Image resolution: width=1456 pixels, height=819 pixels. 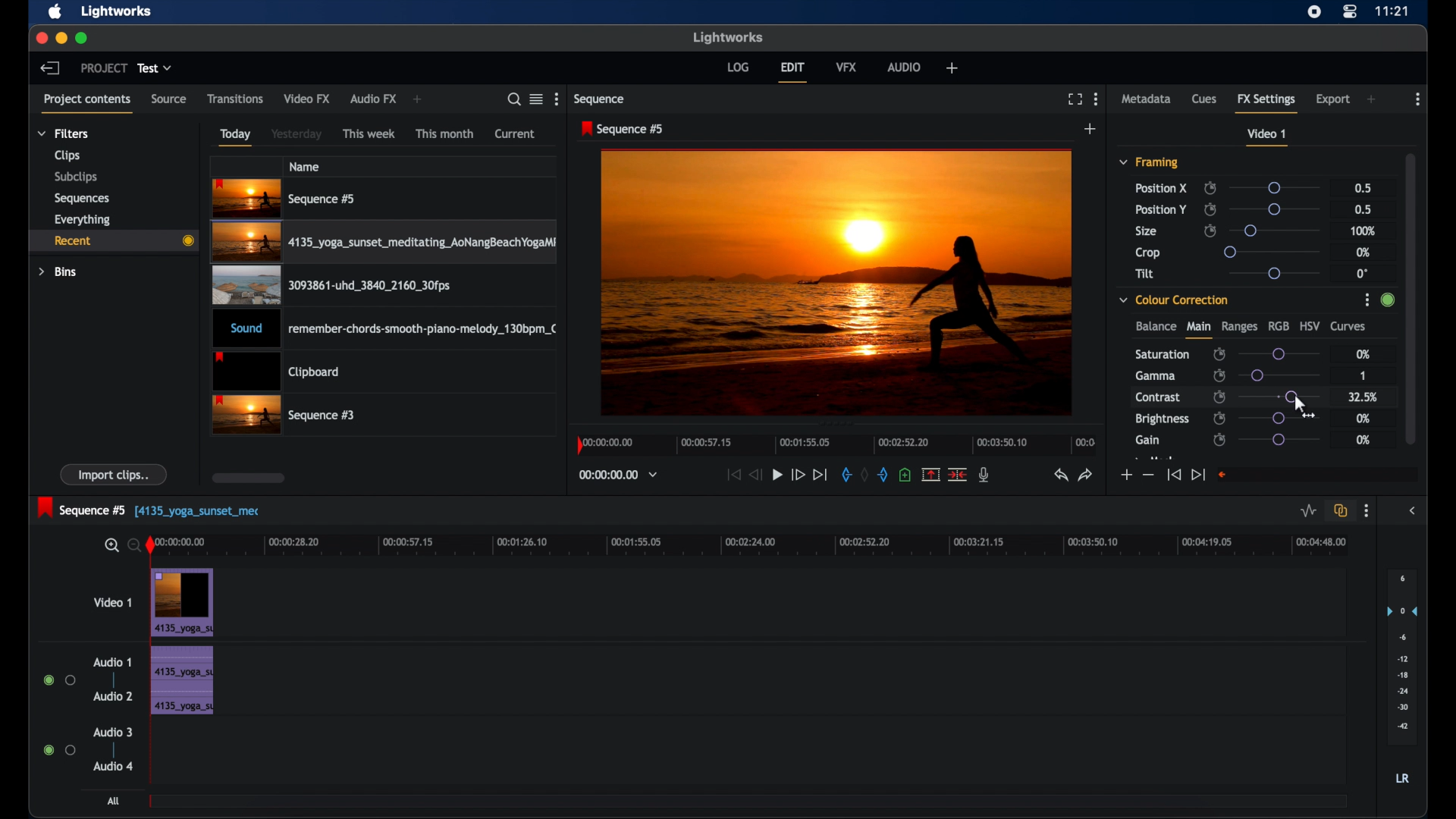 What do you see at coordinates (115, 474) in the screenshot?
I see `import clips` at bounding box center [115, 474].